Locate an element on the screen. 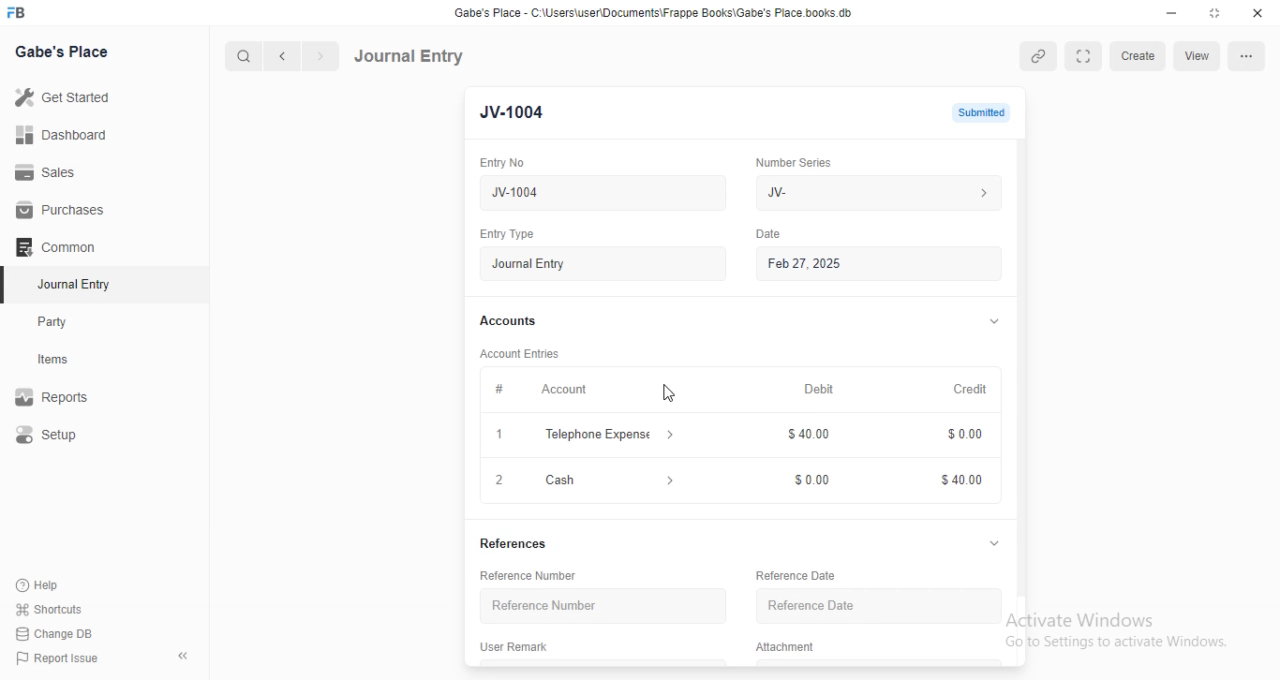  Minimize is located at coordinates (1172, 13).